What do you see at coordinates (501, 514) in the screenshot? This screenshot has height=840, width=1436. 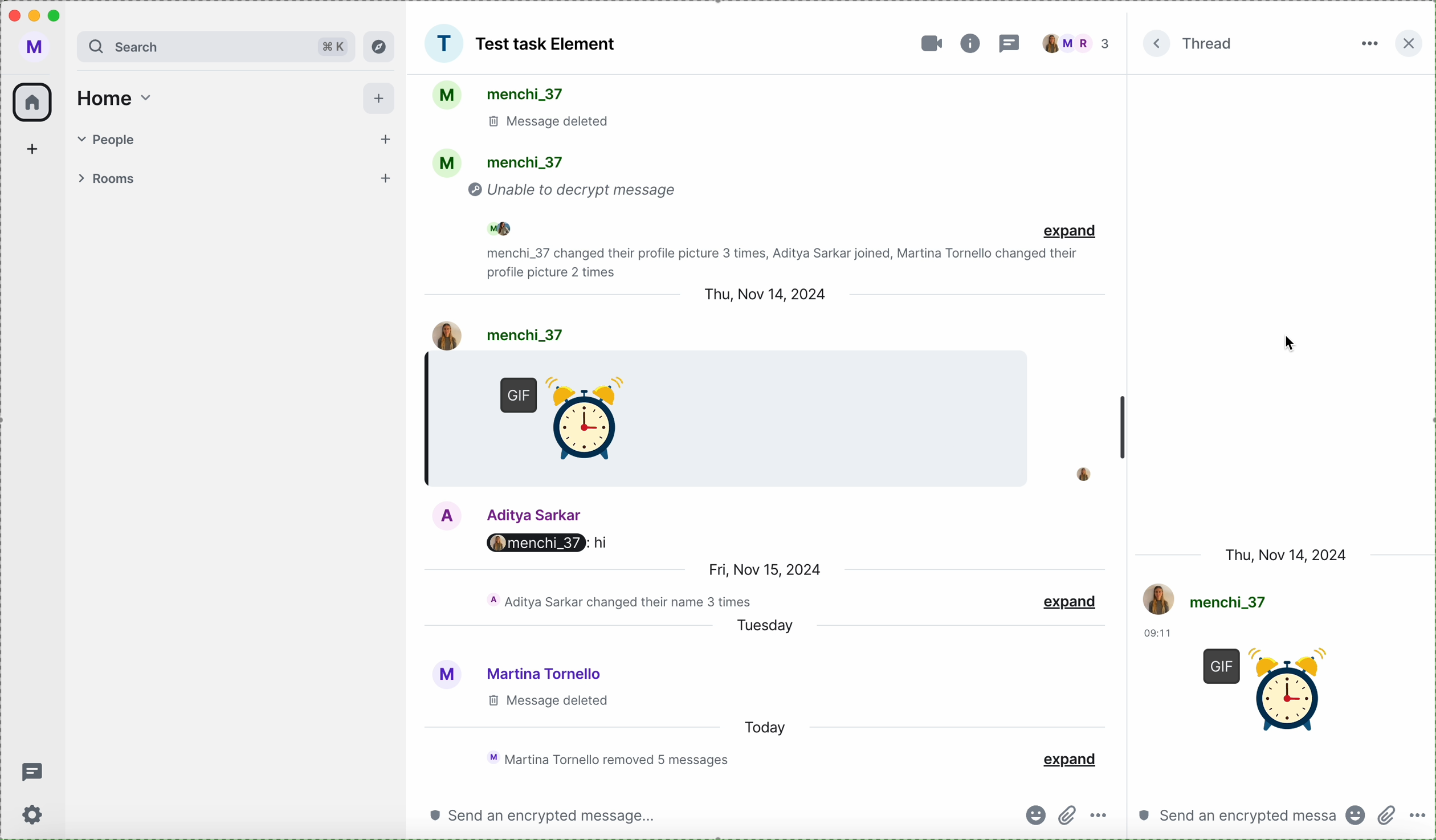 I see `user` at bounding box center [501, 514].